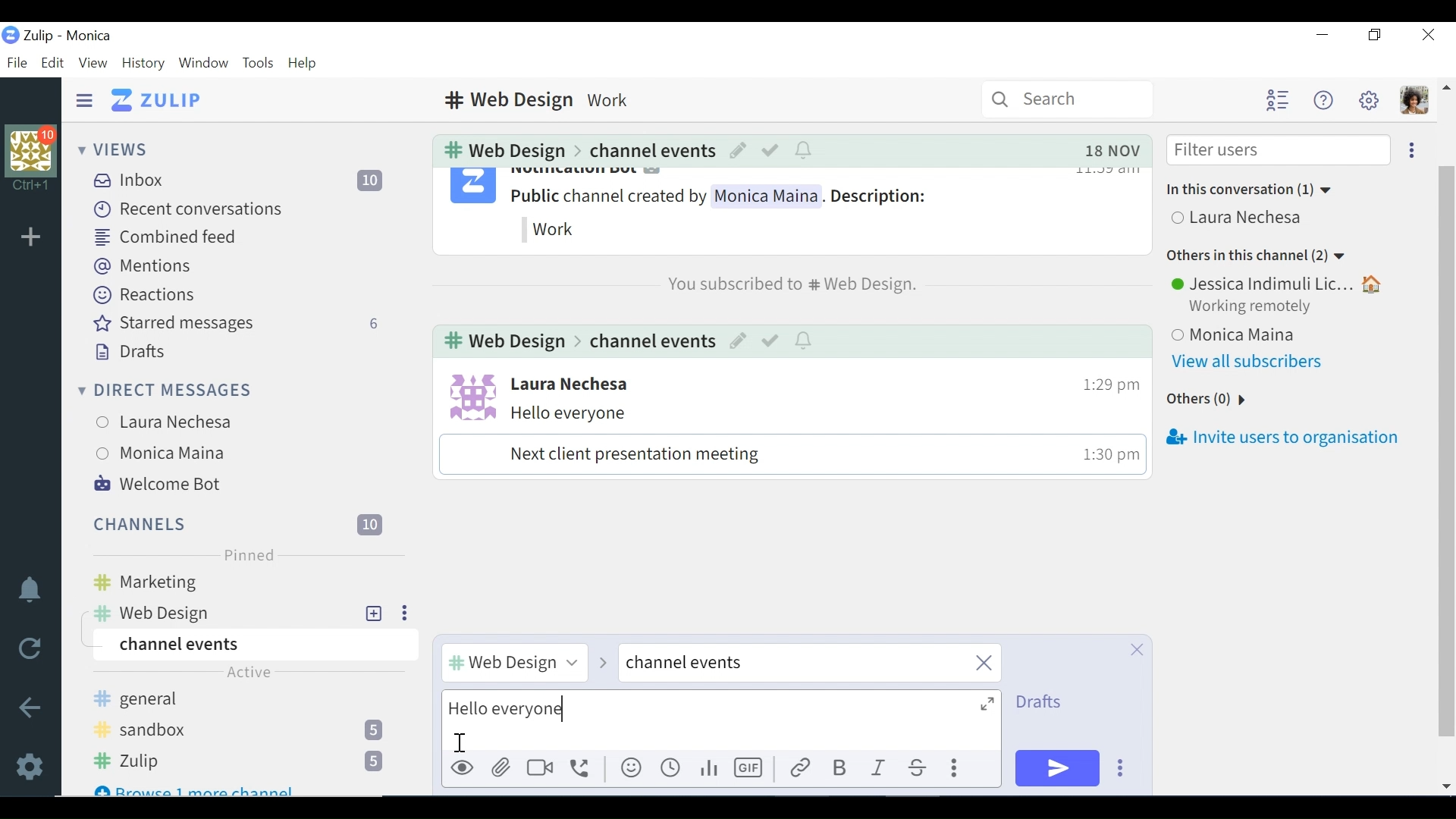  What do you see at coordinates (246, 180) in the screenshot?
I see `Inbox` at bounding box center [246, 180].